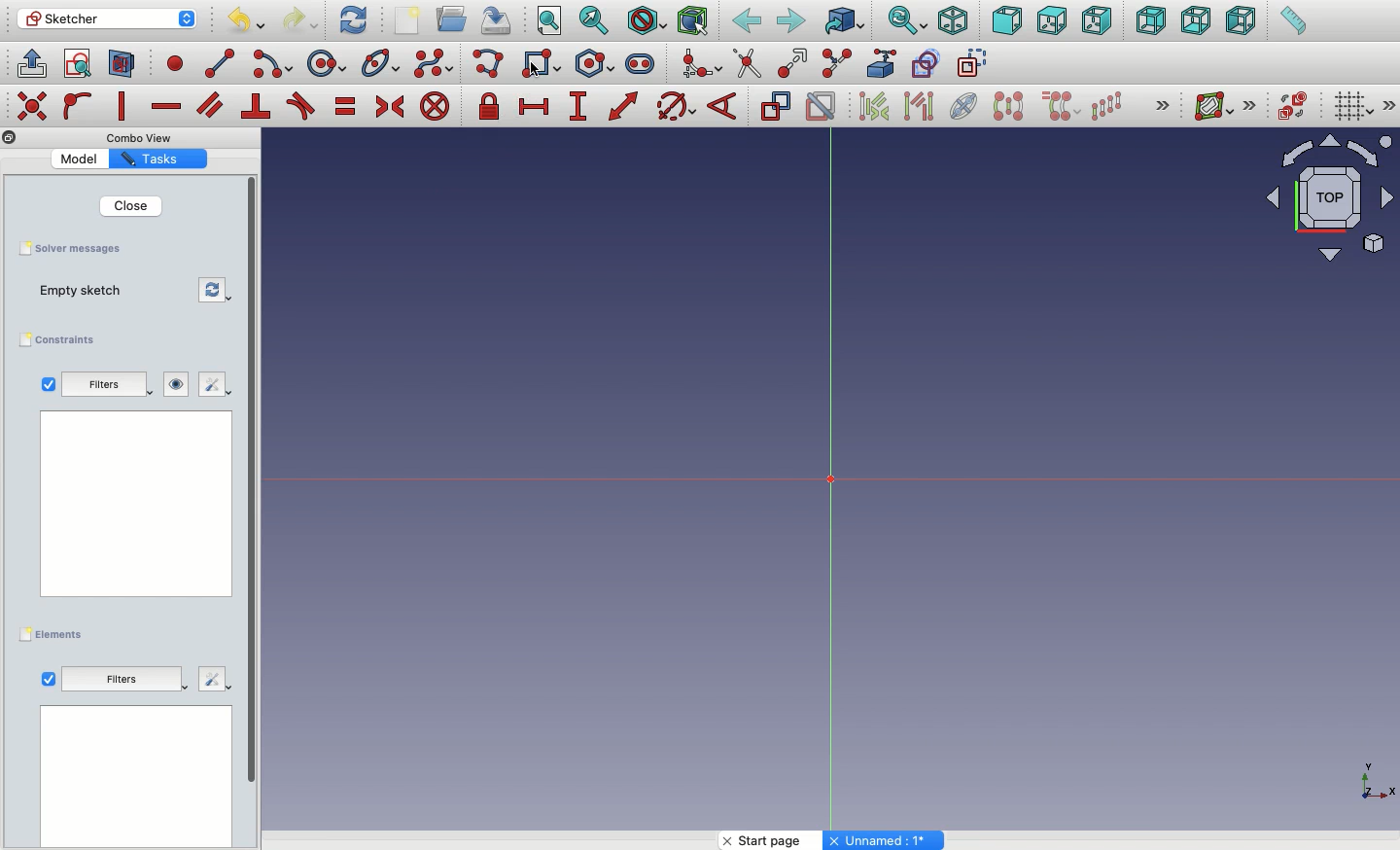 This screenshot has height=850, width=1400. What do you see at coordinates (845, 22) in the screenshot?
I see `Go to linked object` at bounding box center [845, 22].